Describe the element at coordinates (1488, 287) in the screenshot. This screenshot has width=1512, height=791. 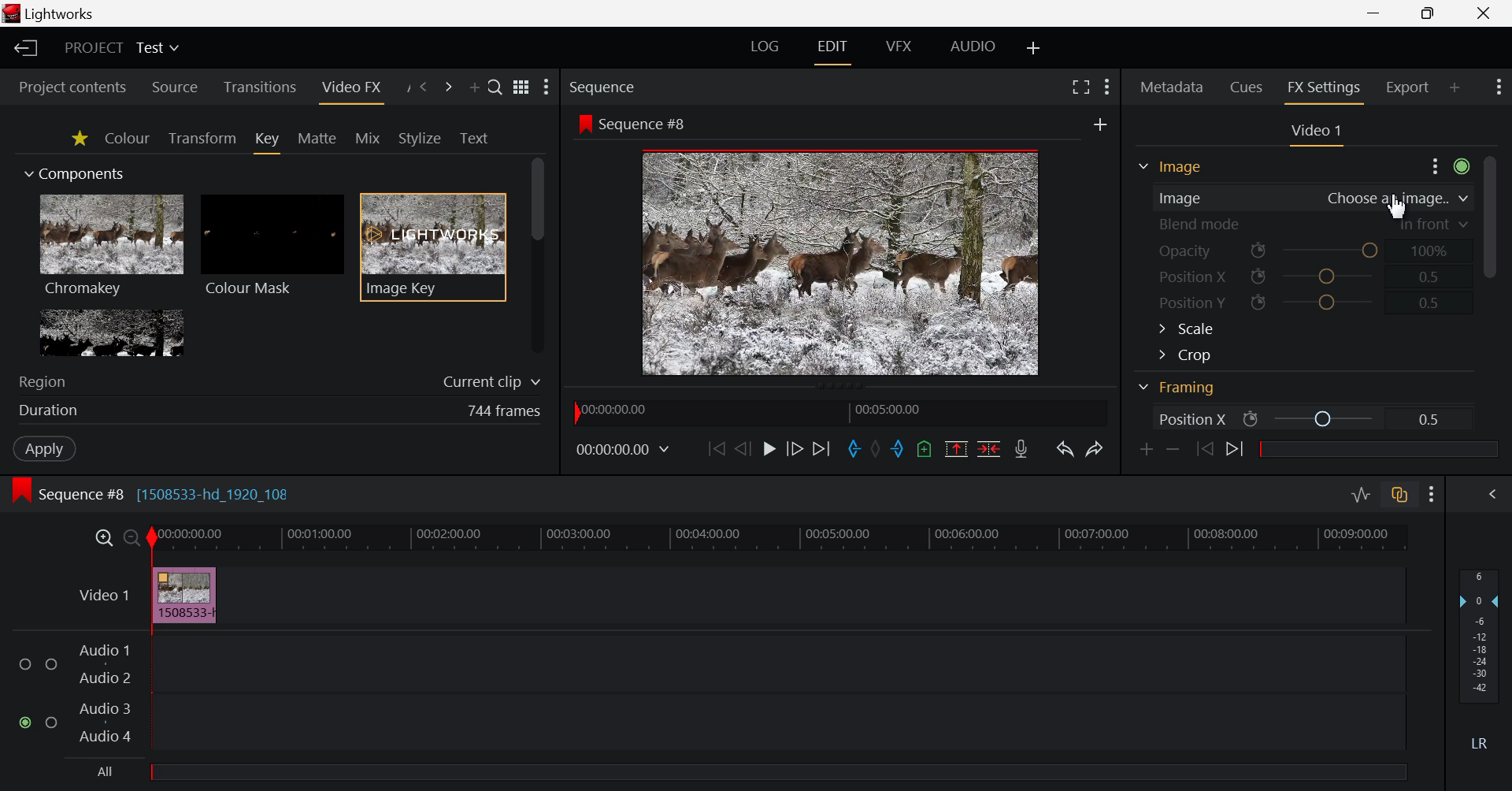
I see `Scroll Bar` at that location.